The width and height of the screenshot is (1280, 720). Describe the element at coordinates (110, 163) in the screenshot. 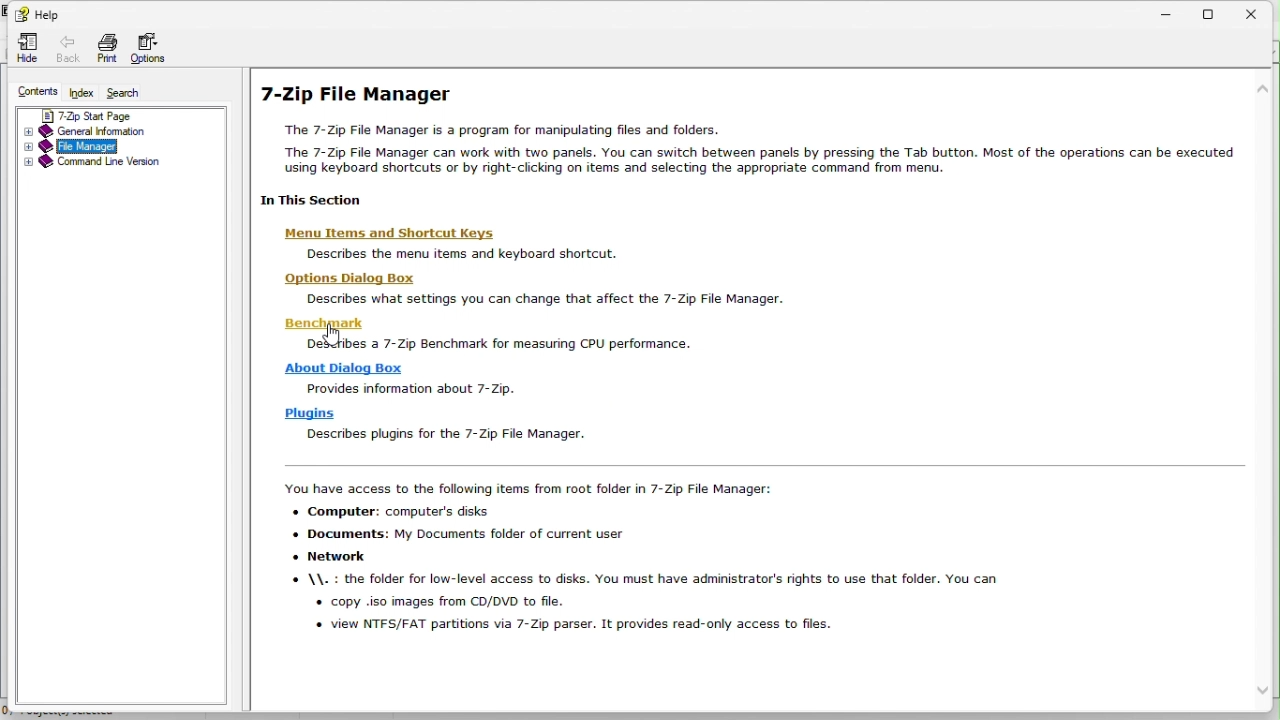

I see `command line version` at that location.